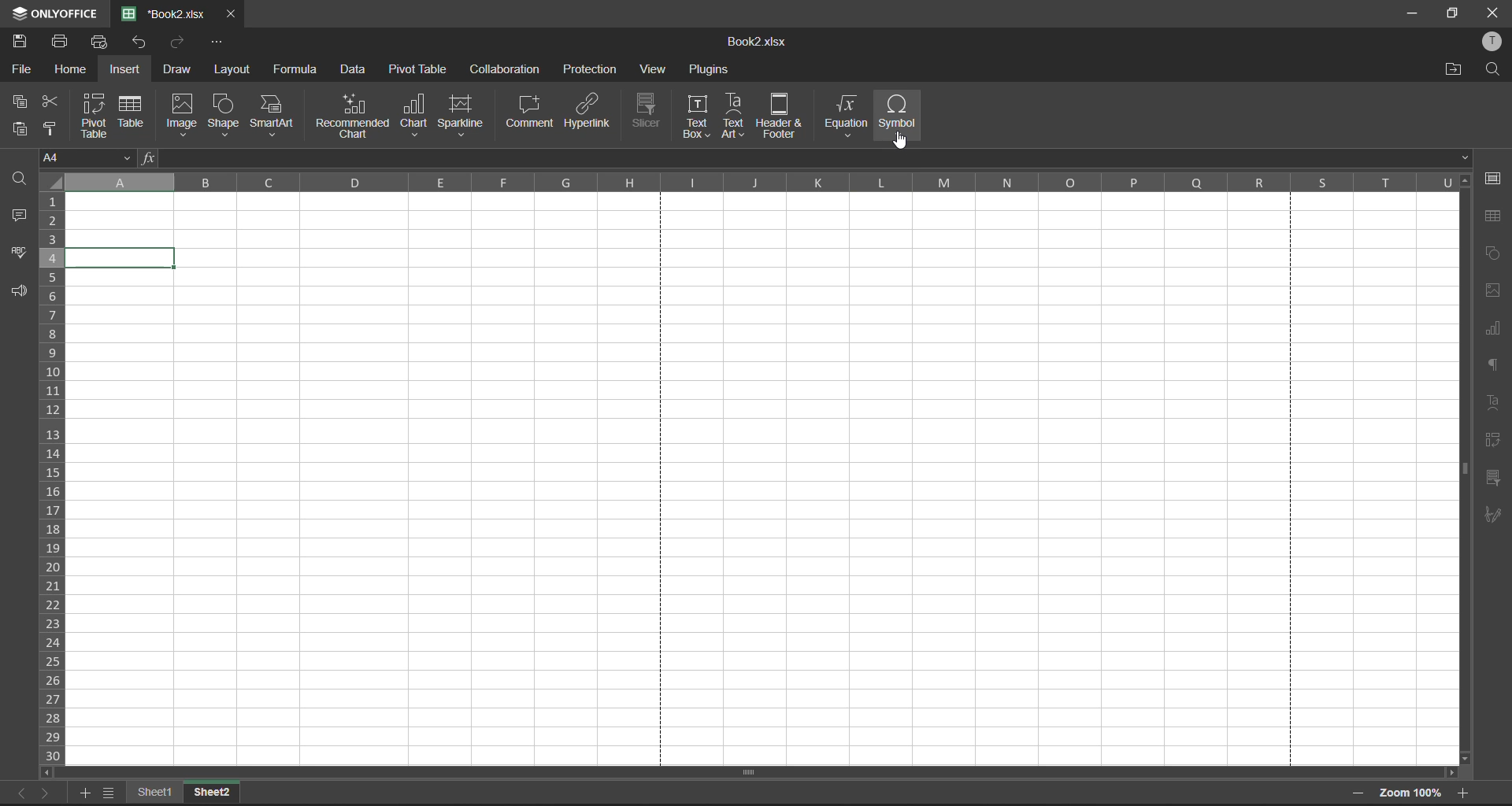 The height and width of the screenshot is (806, 1512). I want to click on layout, so click(234, 72).